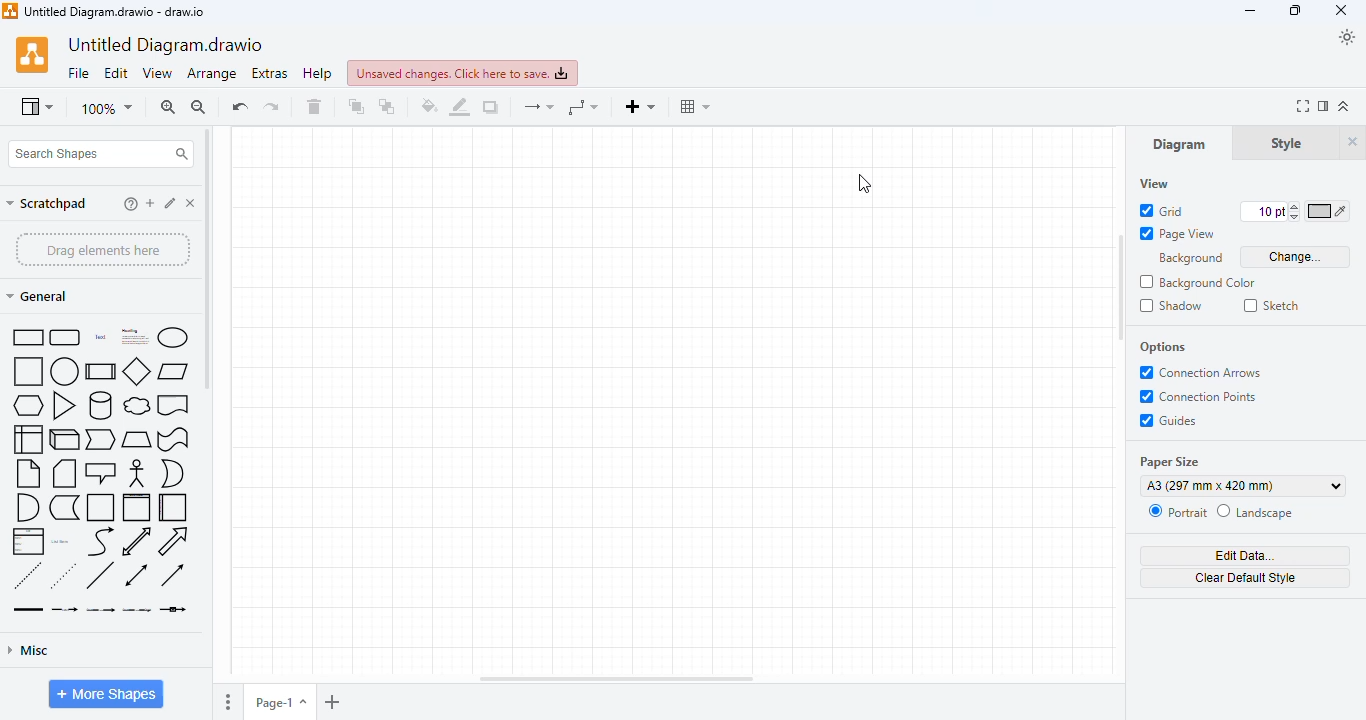 The height and width of the screenshot is (720, 1366). Describe the element at coordinates (191, 203) in the screenshot. I see `delete` at that location.